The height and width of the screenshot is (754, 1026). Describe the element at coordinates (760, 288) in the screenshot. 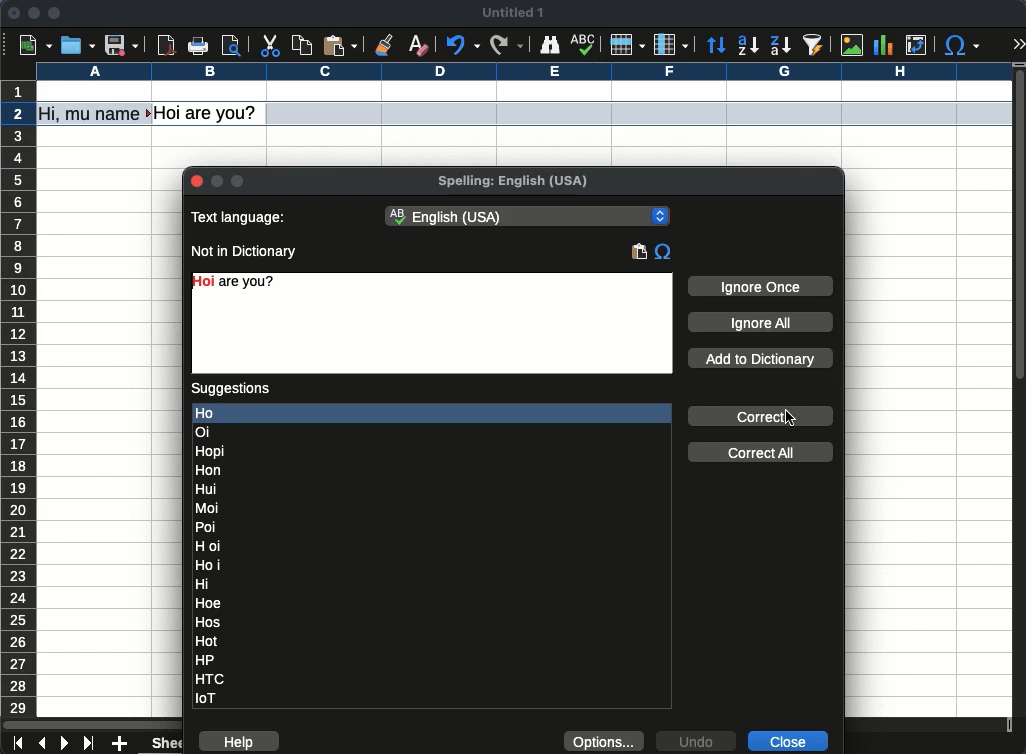

I see `ignore once` at that location.